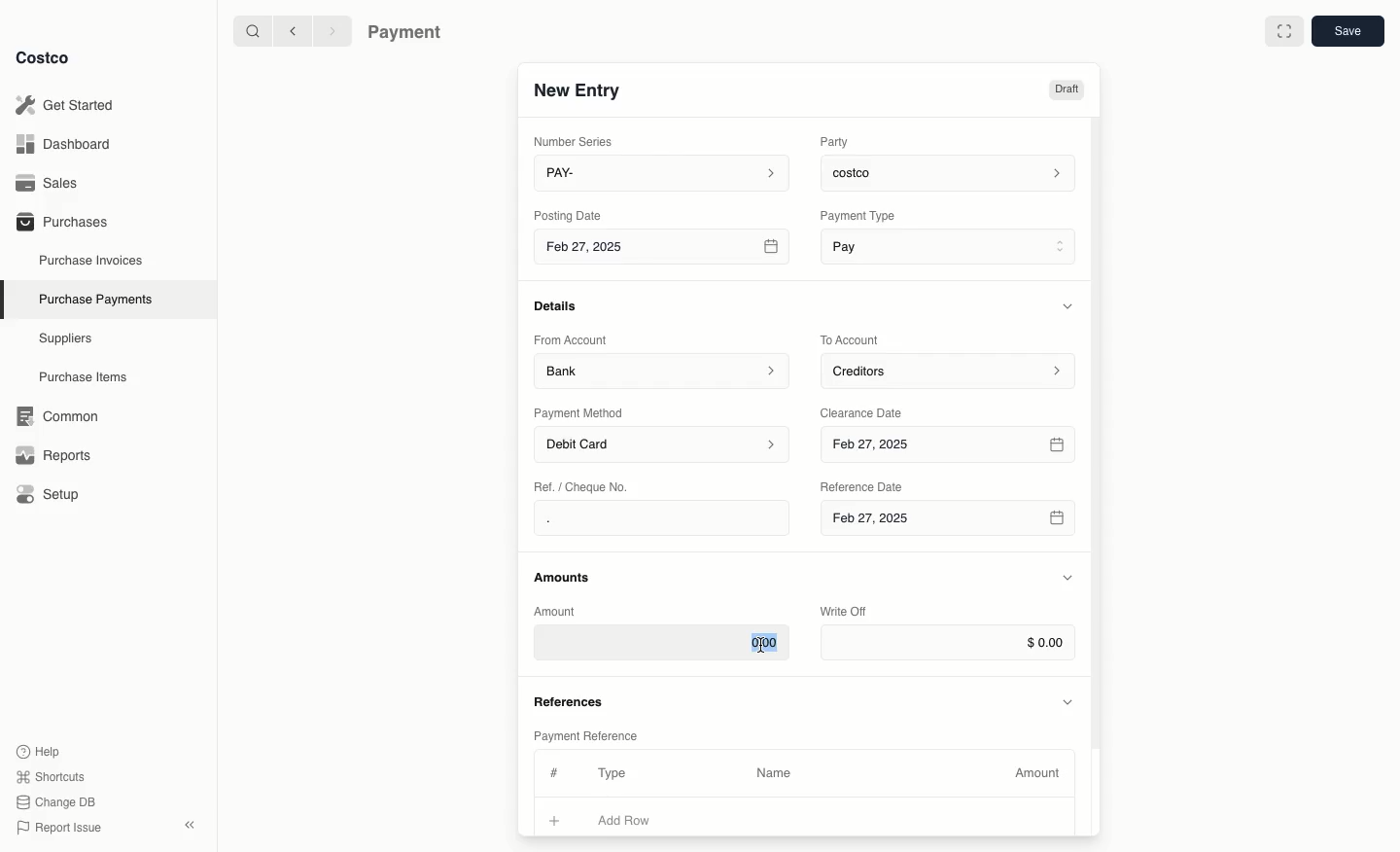 The height and width of the screenshot is (852, 1400). Describe the element at coordinates (1070, 305) in the screenshot. I see `Hide` at that location.